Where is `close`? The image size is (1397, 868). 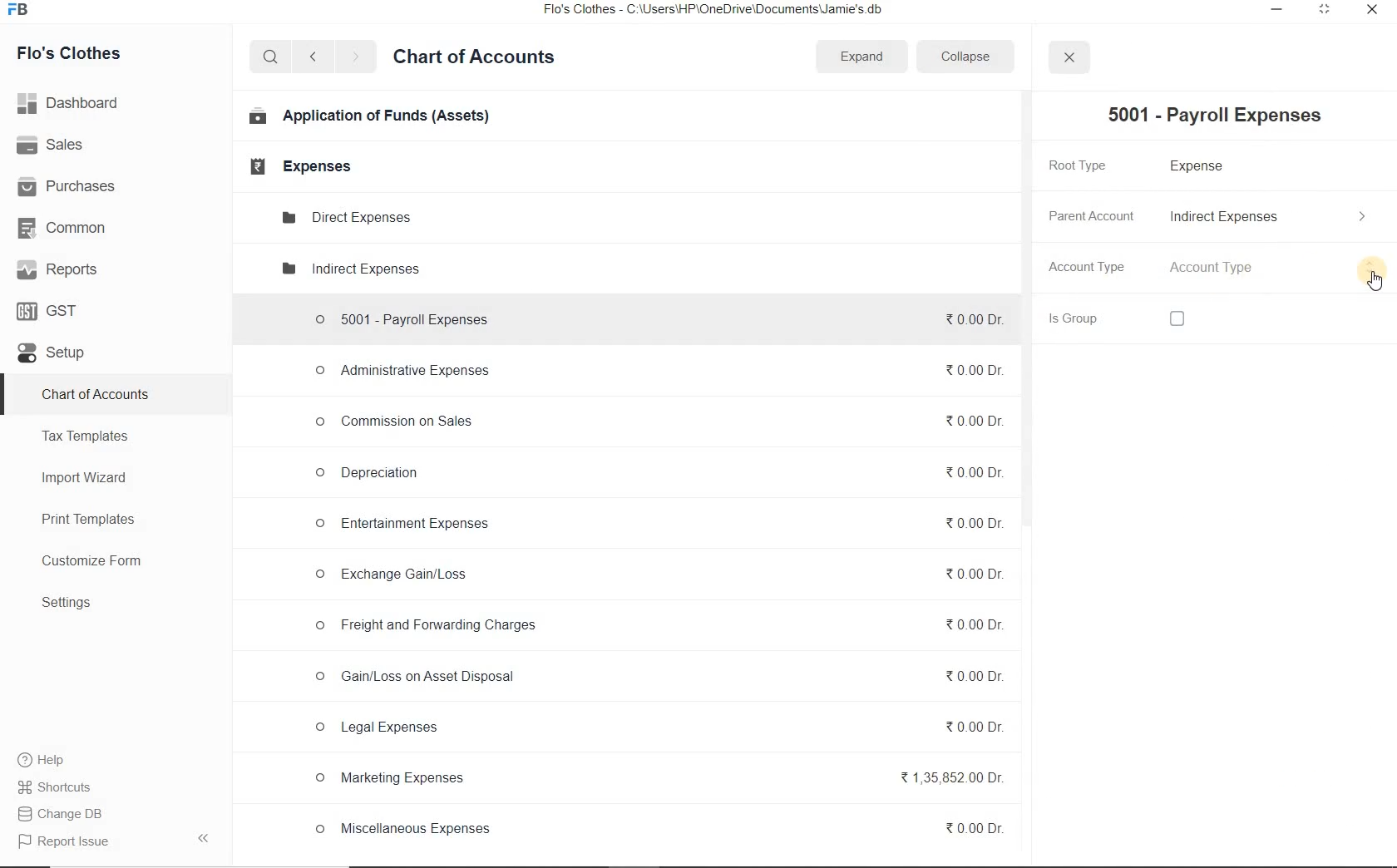
close is located at coordinates (1068, 57).